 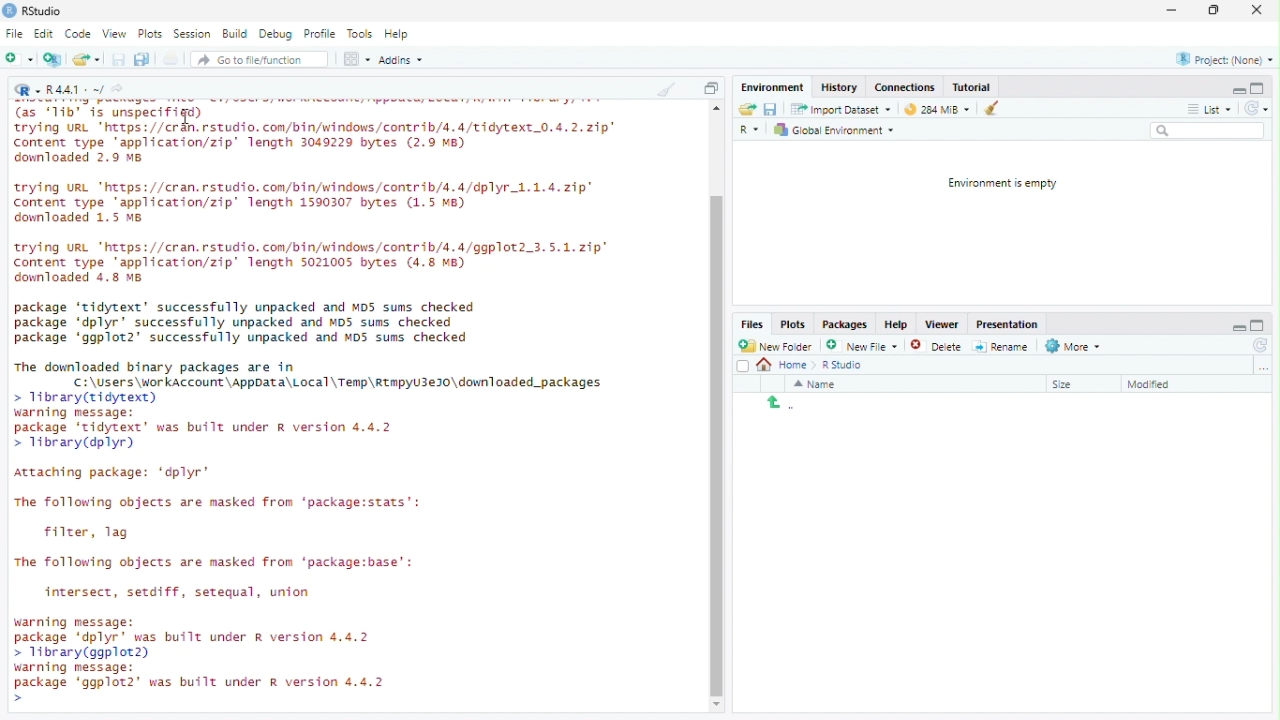 I want to click on Global Environment, so click(x=834, y=129).